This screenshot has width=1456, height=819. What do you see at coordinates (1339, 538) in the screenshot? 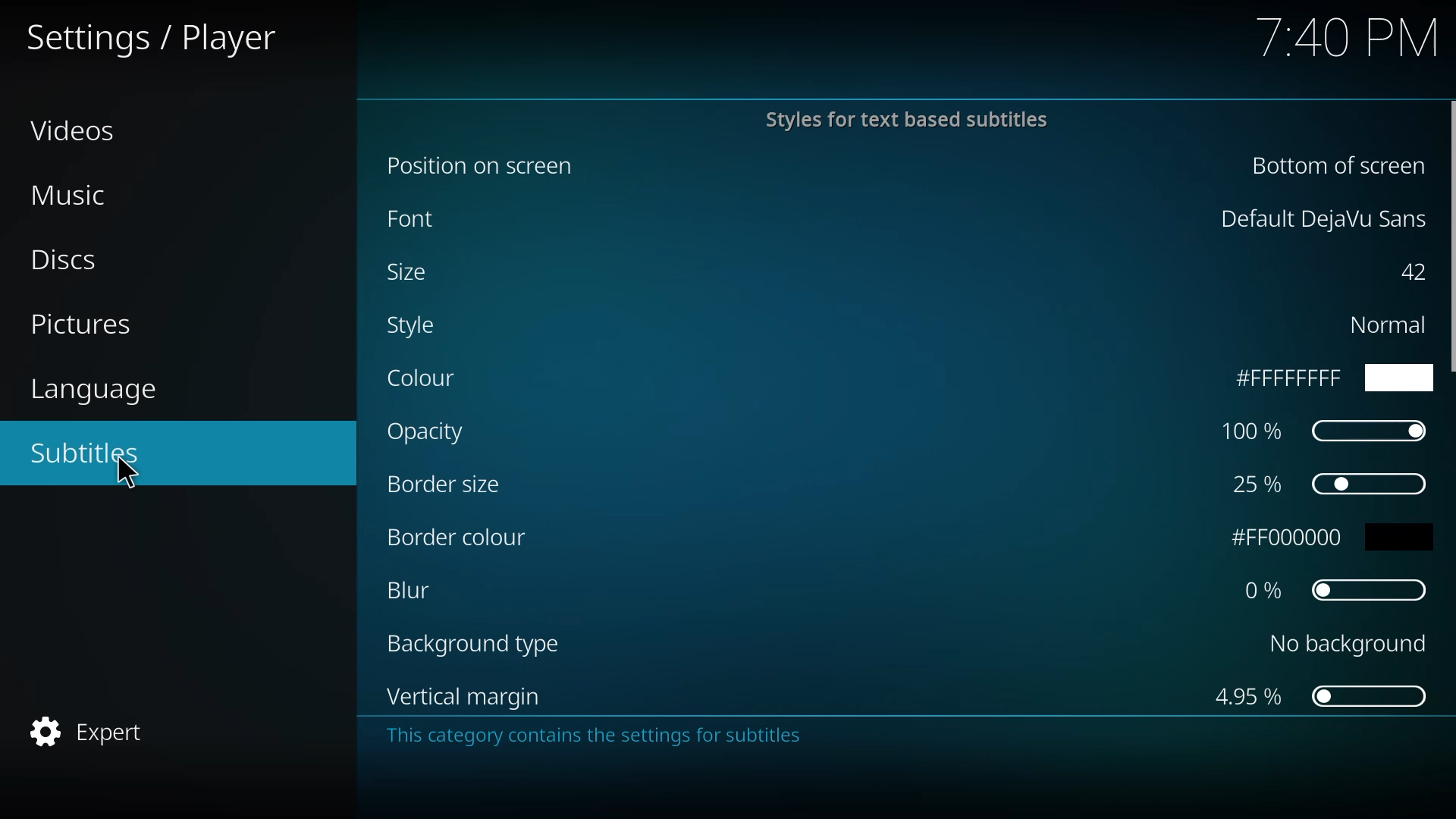
I see `fff000` at bounding box center [1339, 538].